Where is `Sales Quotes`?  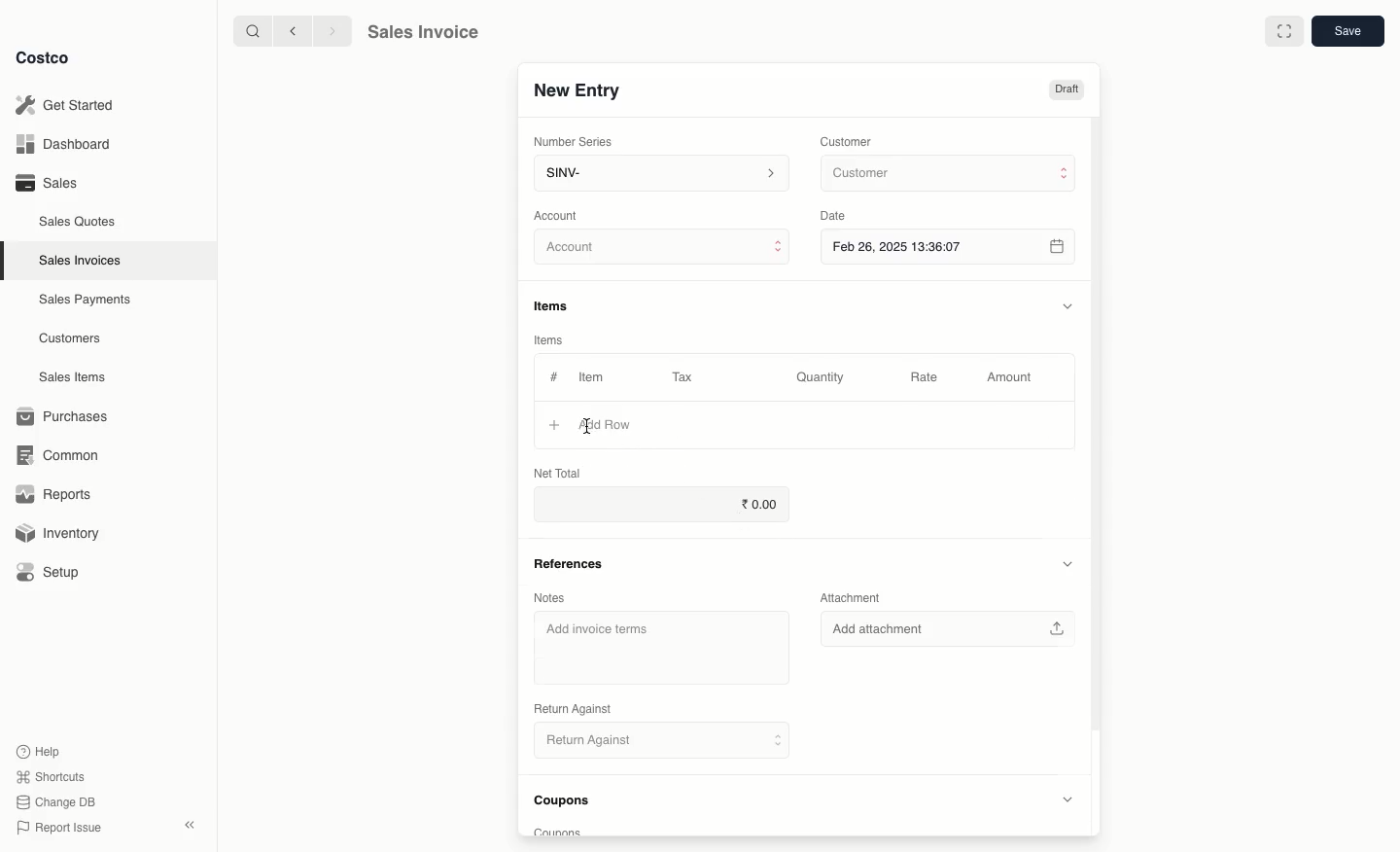
Sales Quotes is located at coordinates (80, 221).